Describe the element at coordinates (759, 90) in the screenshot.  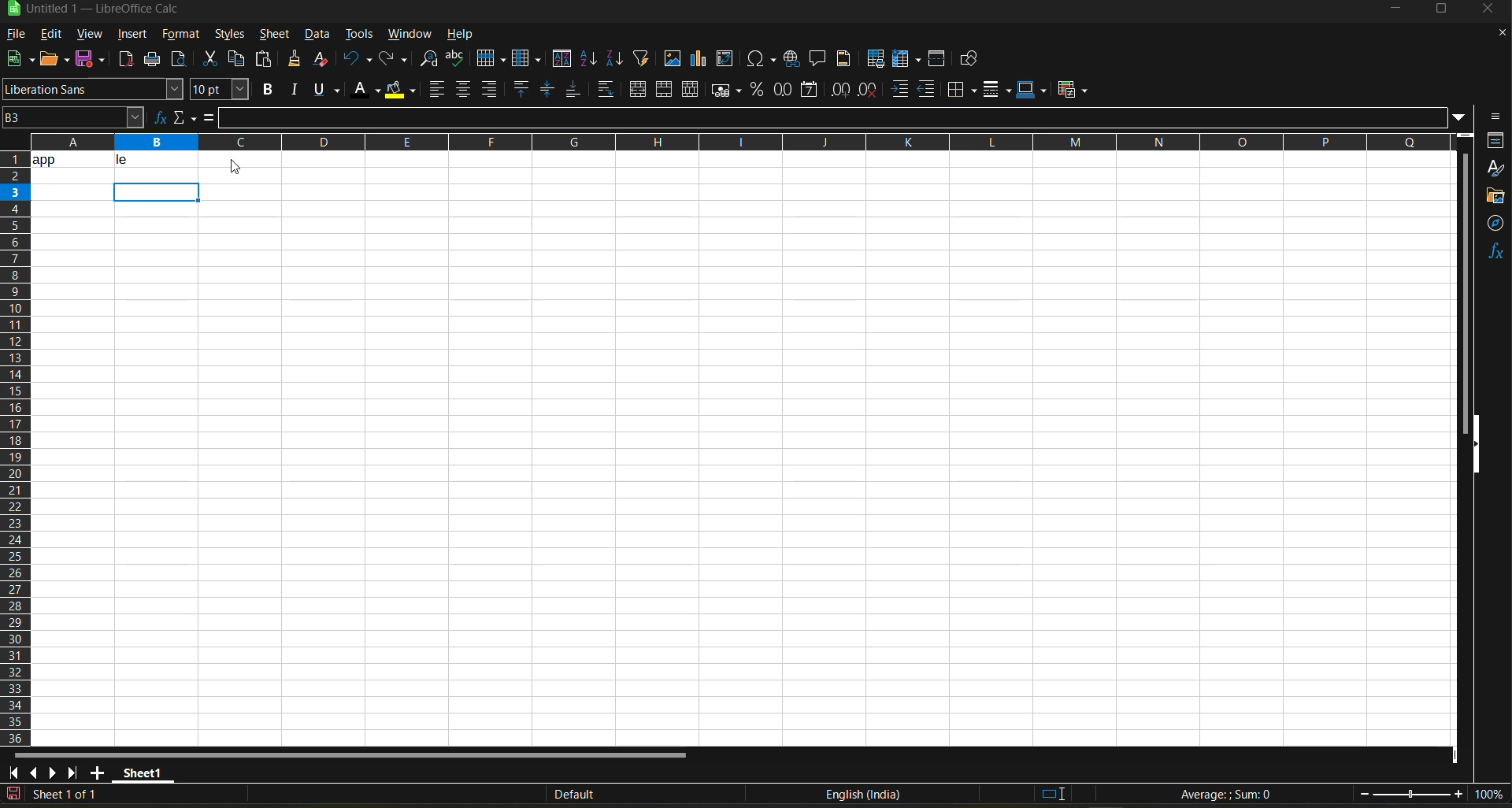
I see `format as percent` at that location.